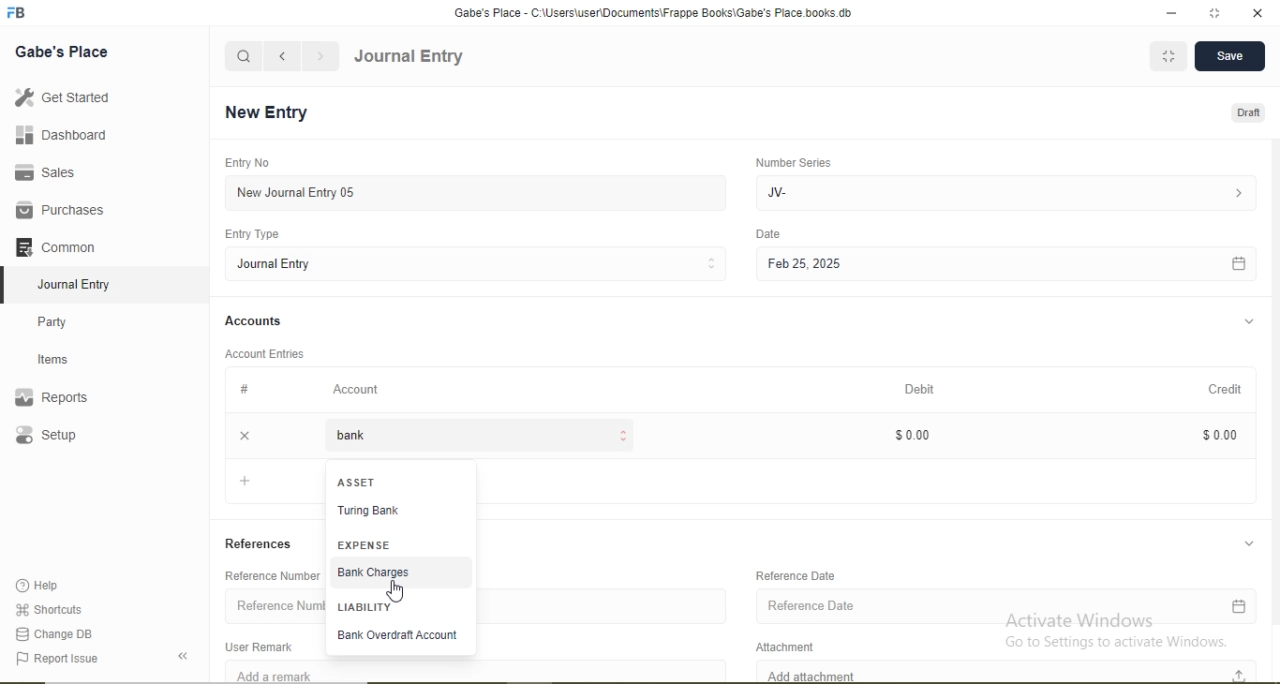  What do you see at coordinates (60, 210) in the screenshot?
I see `Purchases` at bounding box center [60, 210].